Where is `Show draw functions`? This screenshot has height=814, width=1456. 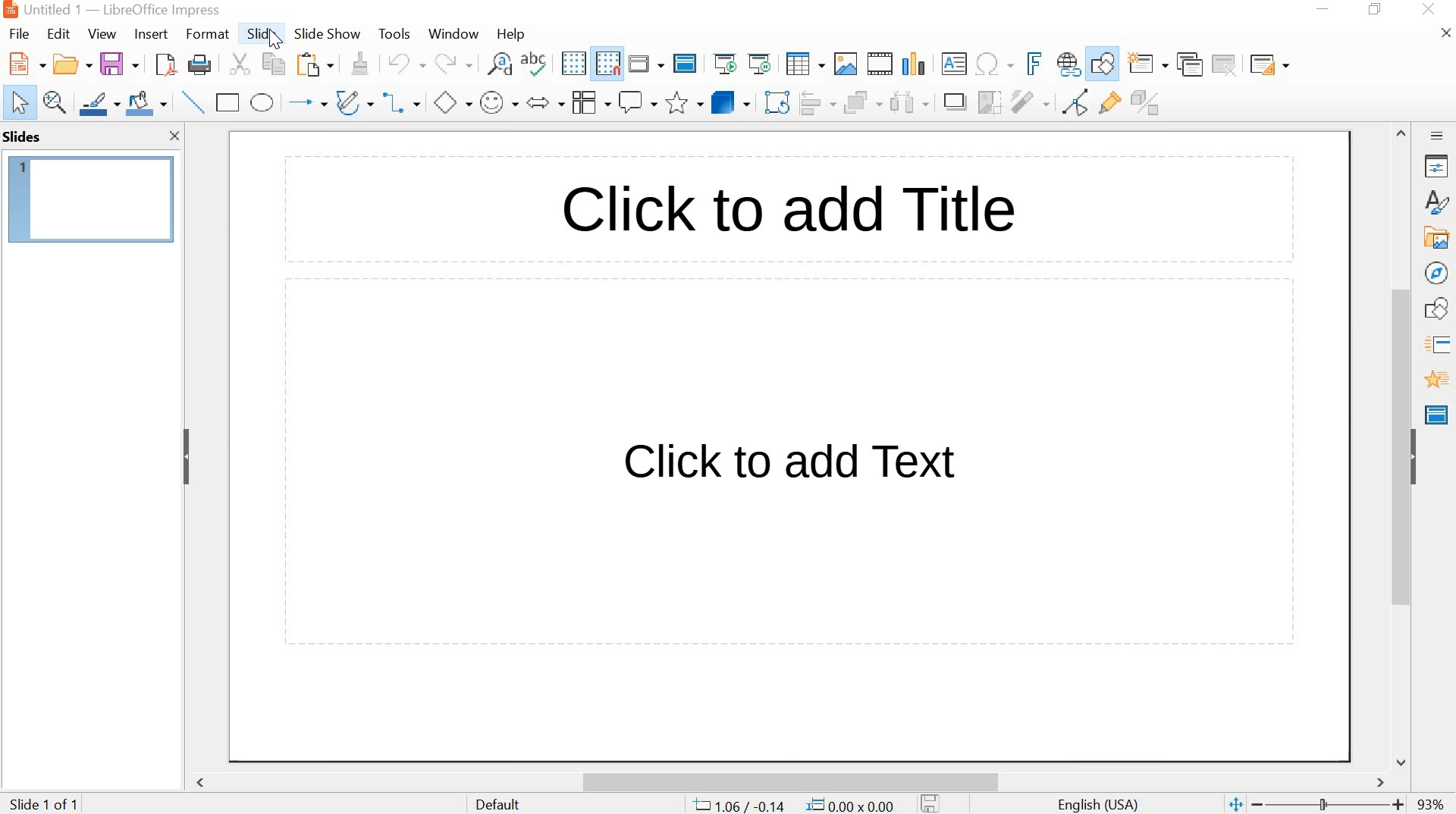 Show draw functions is located at coordinates (1103, 65).